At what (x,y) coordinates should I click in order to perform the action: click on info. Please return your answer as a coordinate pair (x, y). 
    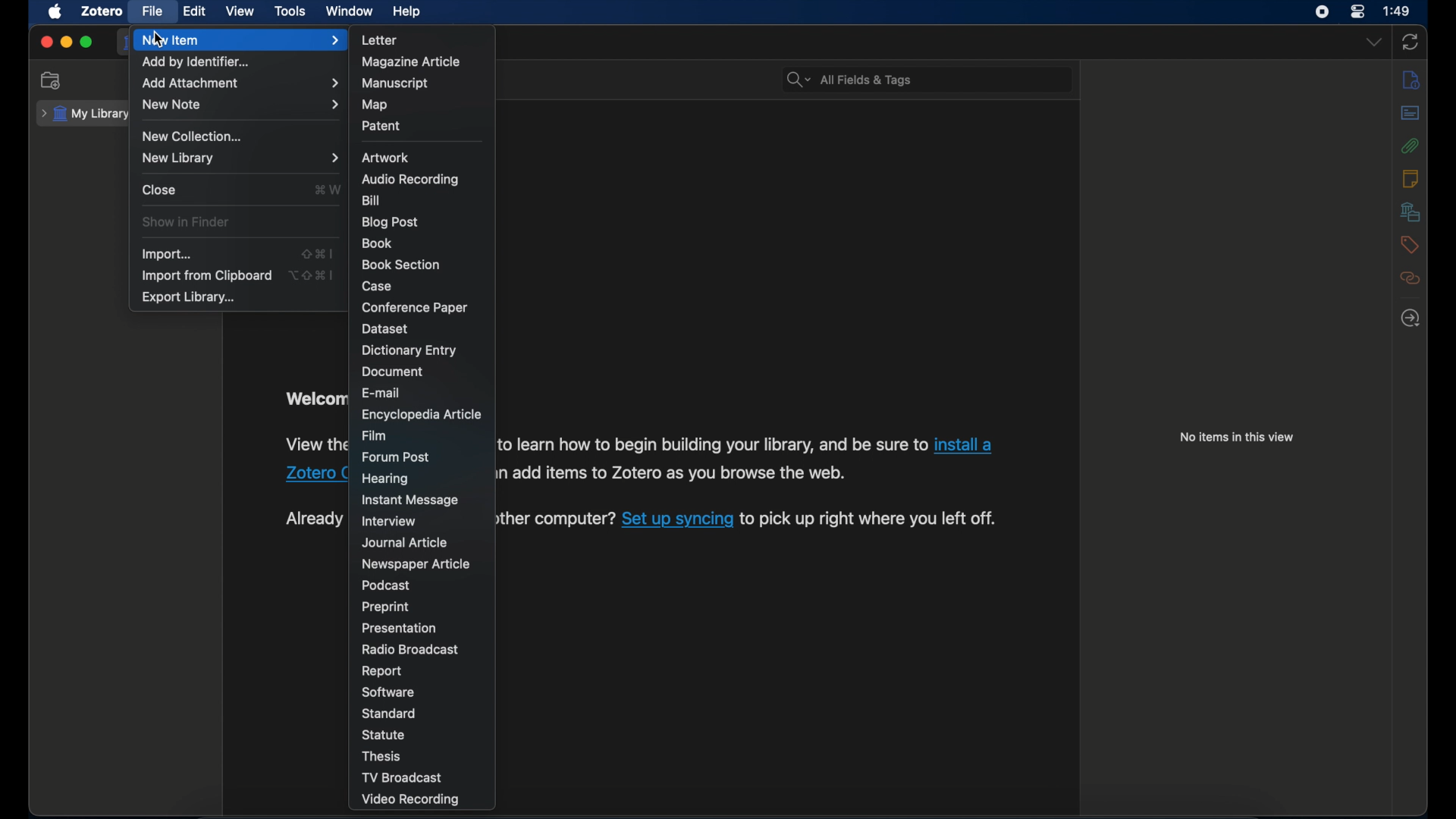
    Looking at the image, I should click on (1410, 81).